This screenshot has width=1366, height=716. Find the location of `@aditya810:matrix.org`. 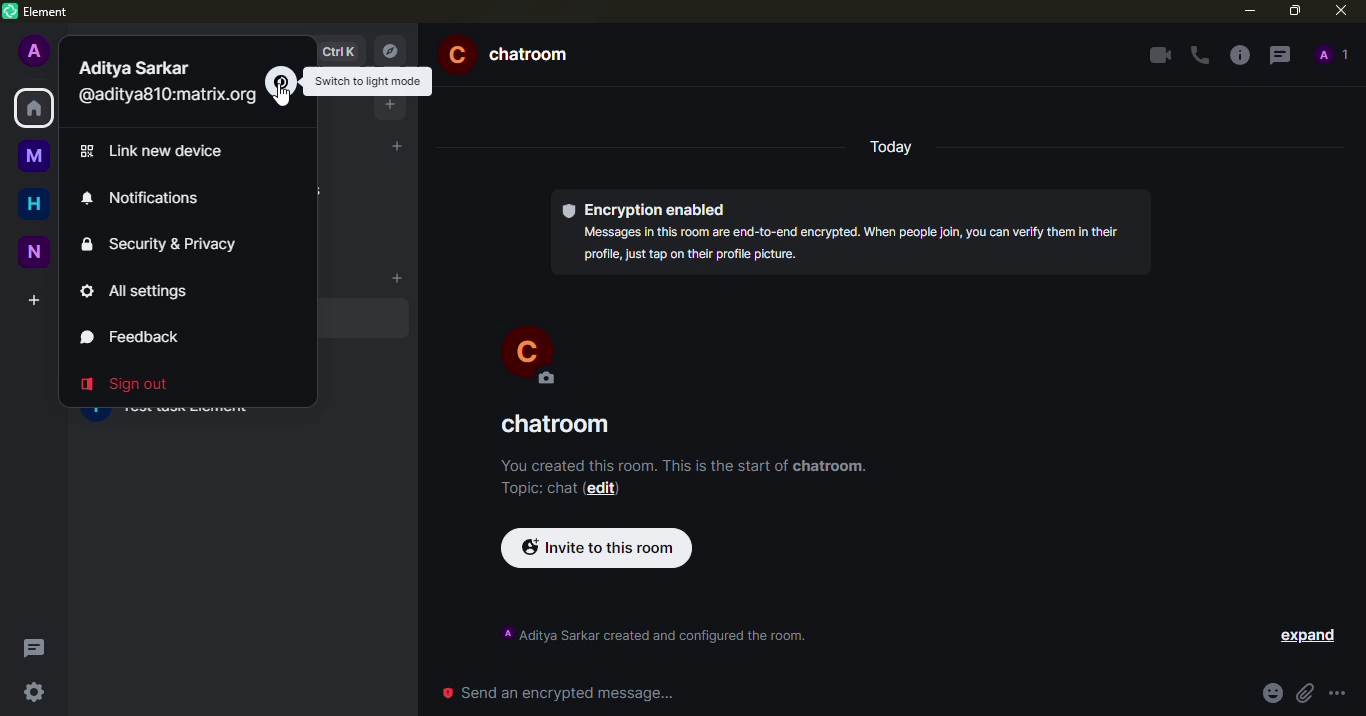

@aditya810:matrix.org is located at coordinates (170, 96).